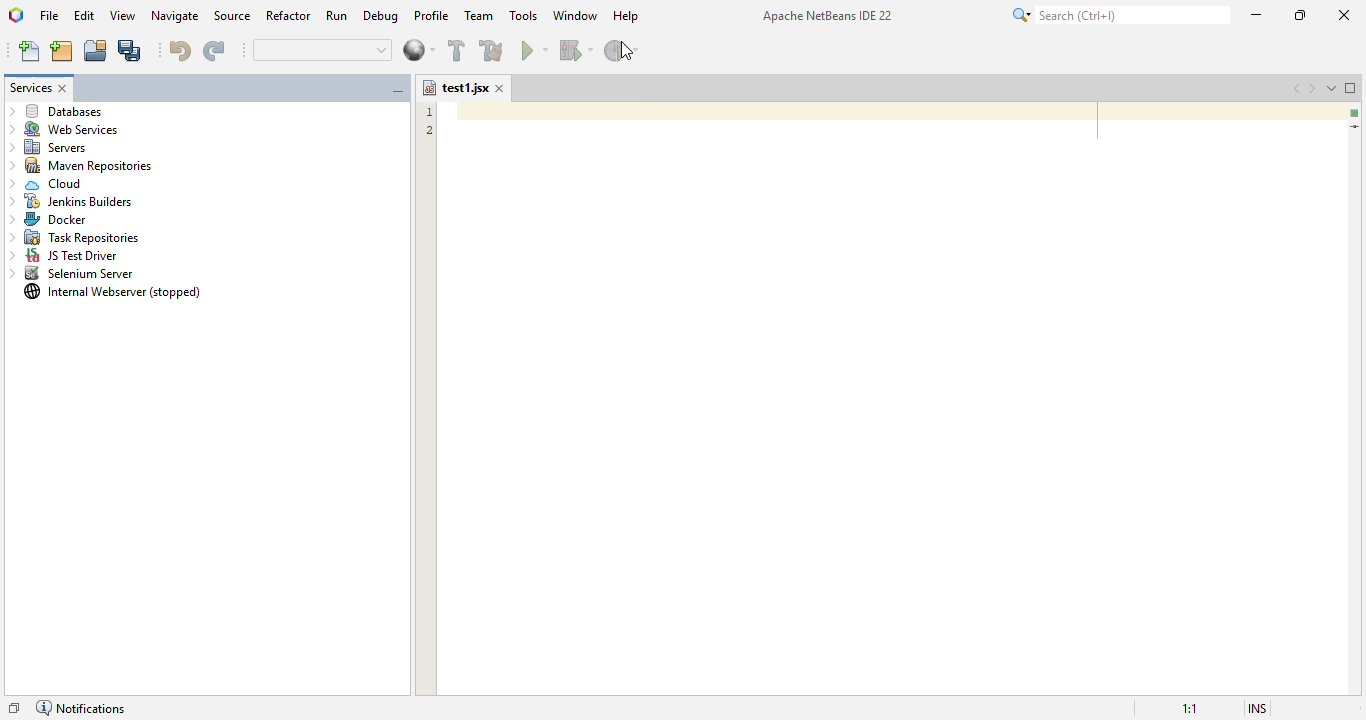 Image resolution: width=1366 pixels, height=720 pixels. Describe the element at coordinates (576, 15) in the screenshot. I see `window` at that location.